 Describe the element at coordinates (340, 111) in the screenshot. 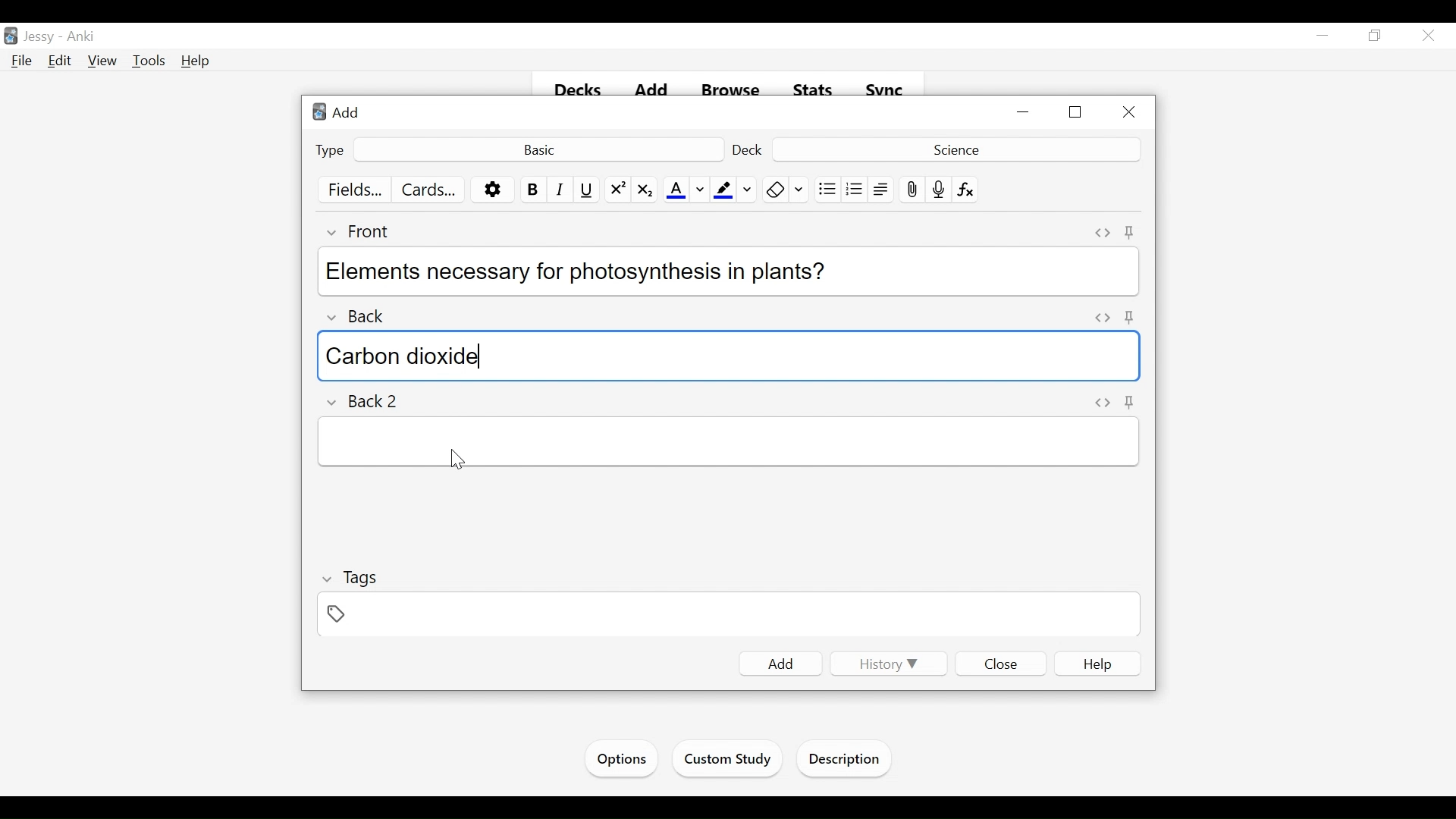

I see `Add` at that location.